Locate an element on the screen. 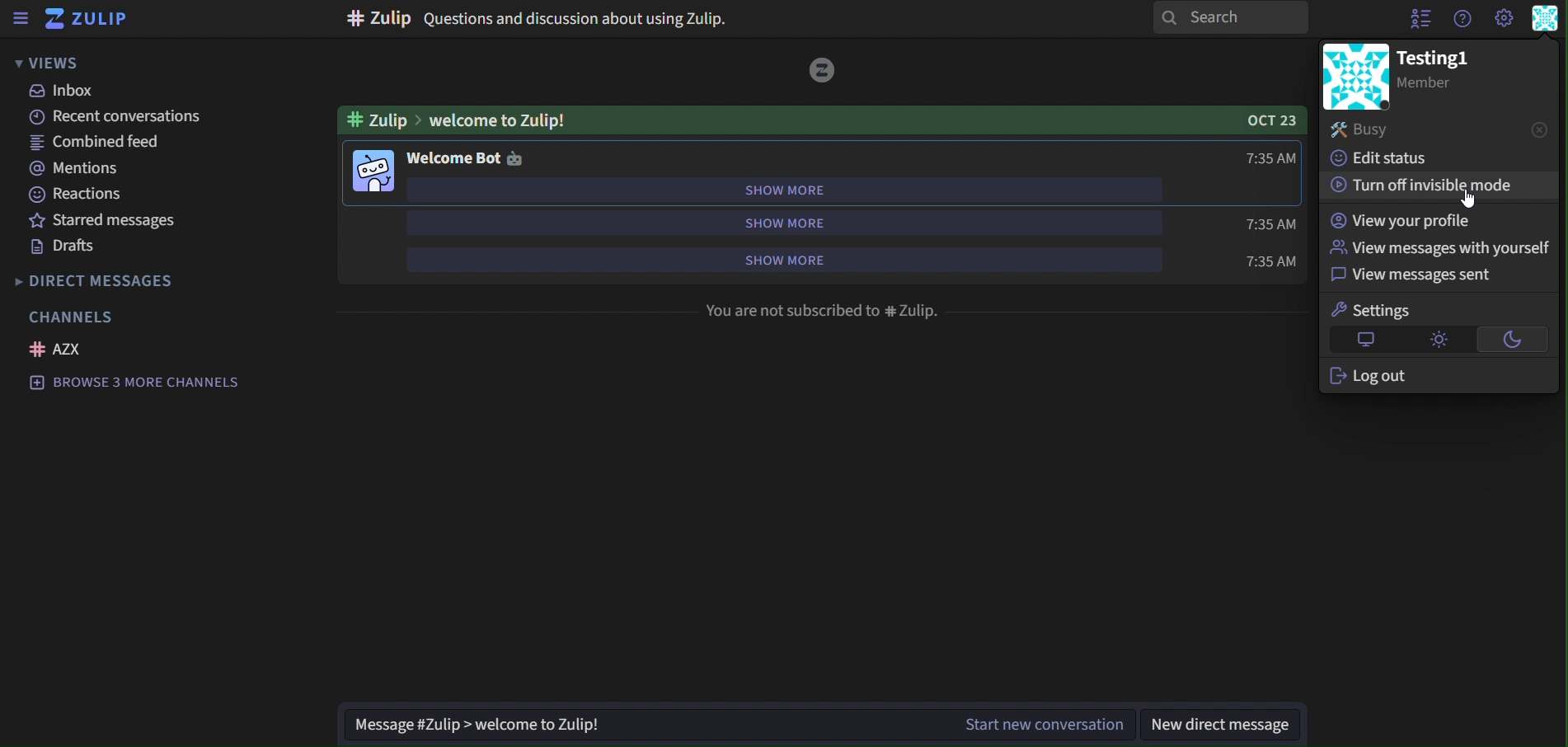  direct messages is located at coordinates (95, 282).